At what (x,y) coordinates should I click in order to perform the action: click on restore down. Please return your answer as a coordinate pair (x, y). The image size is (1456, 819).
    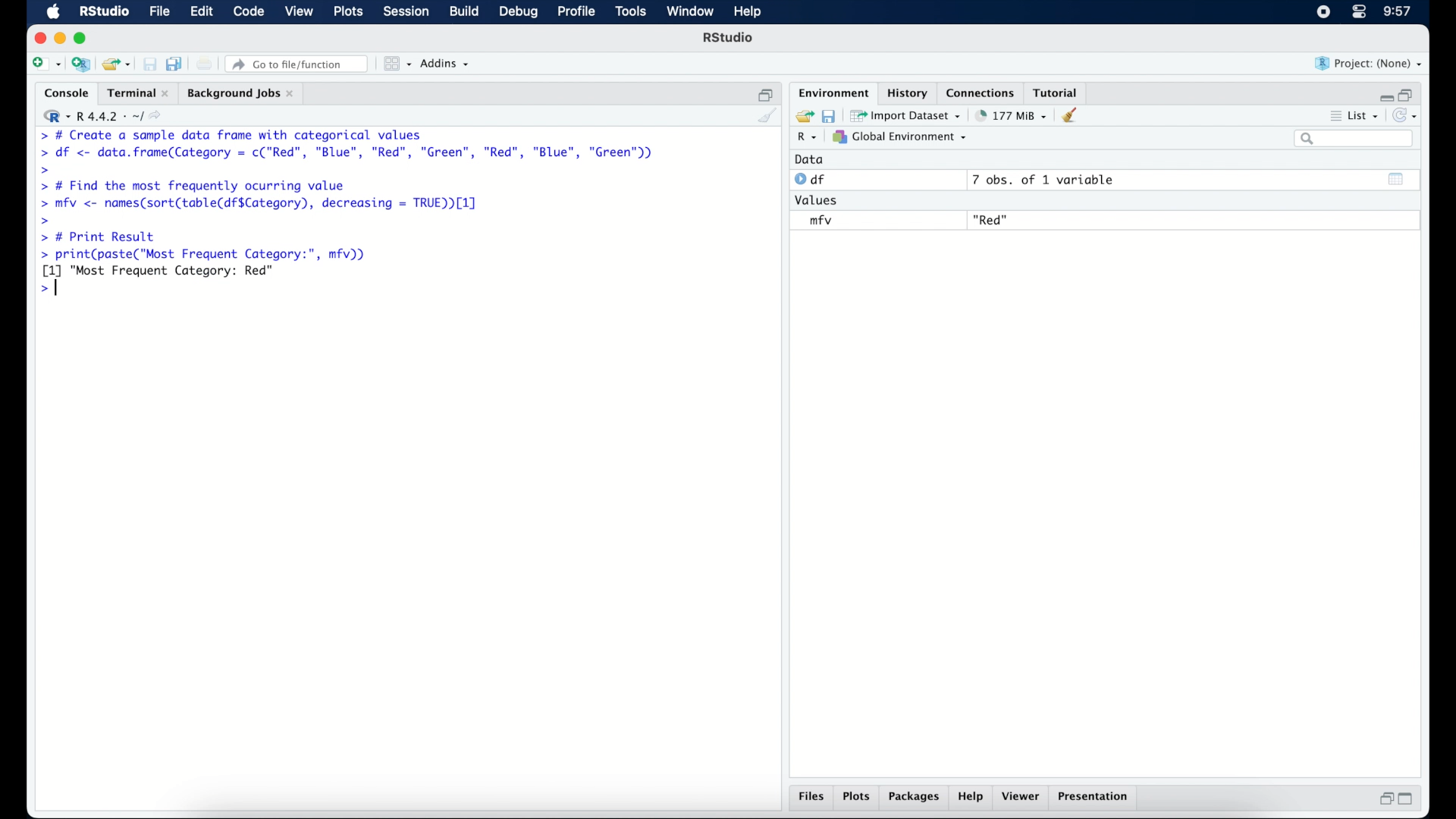
    Looking at the image, I should click on (764, 92).